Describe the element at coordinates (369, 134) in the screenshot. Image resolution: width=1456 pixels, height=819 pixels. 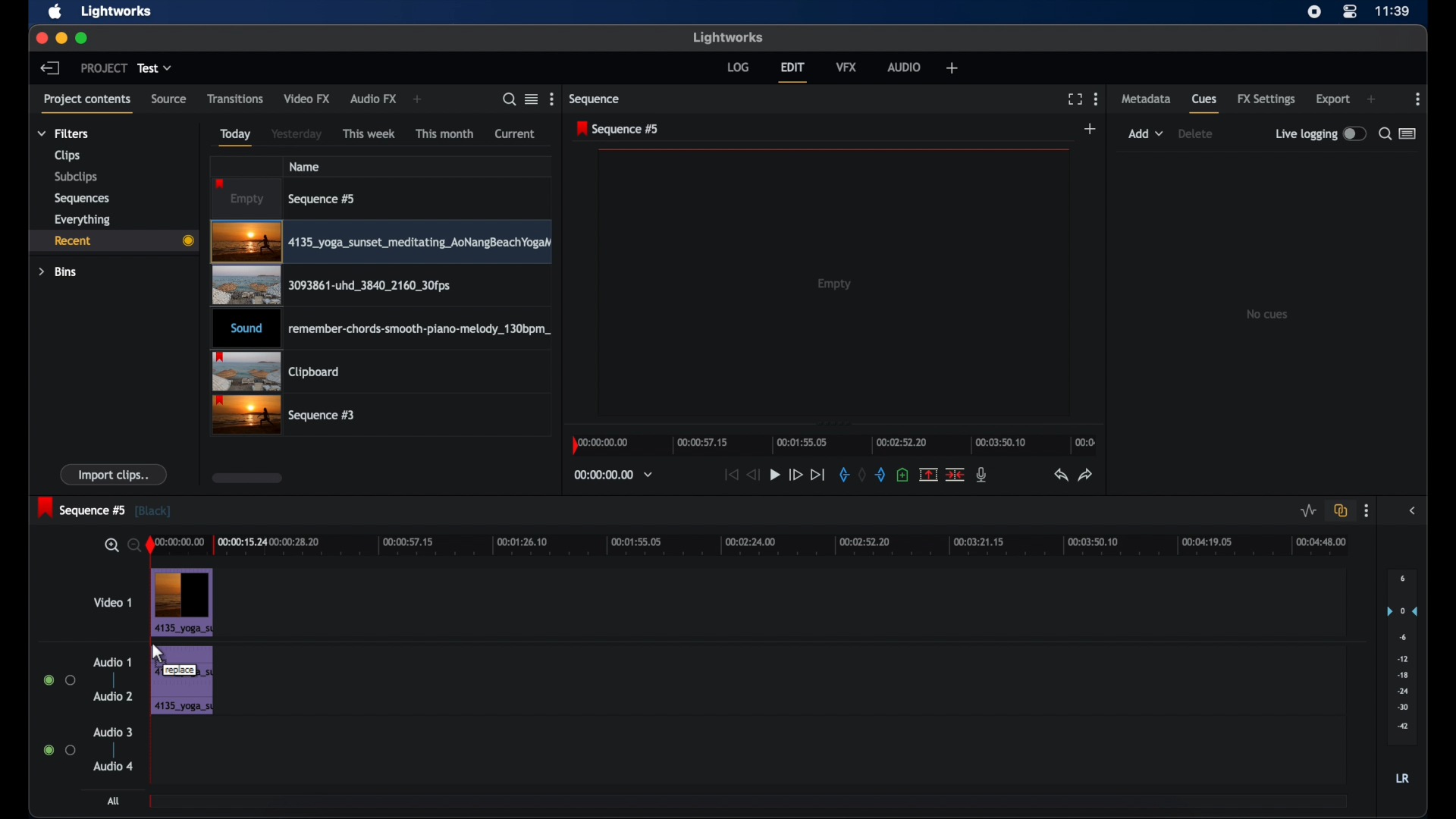
I see `this week` at that location.